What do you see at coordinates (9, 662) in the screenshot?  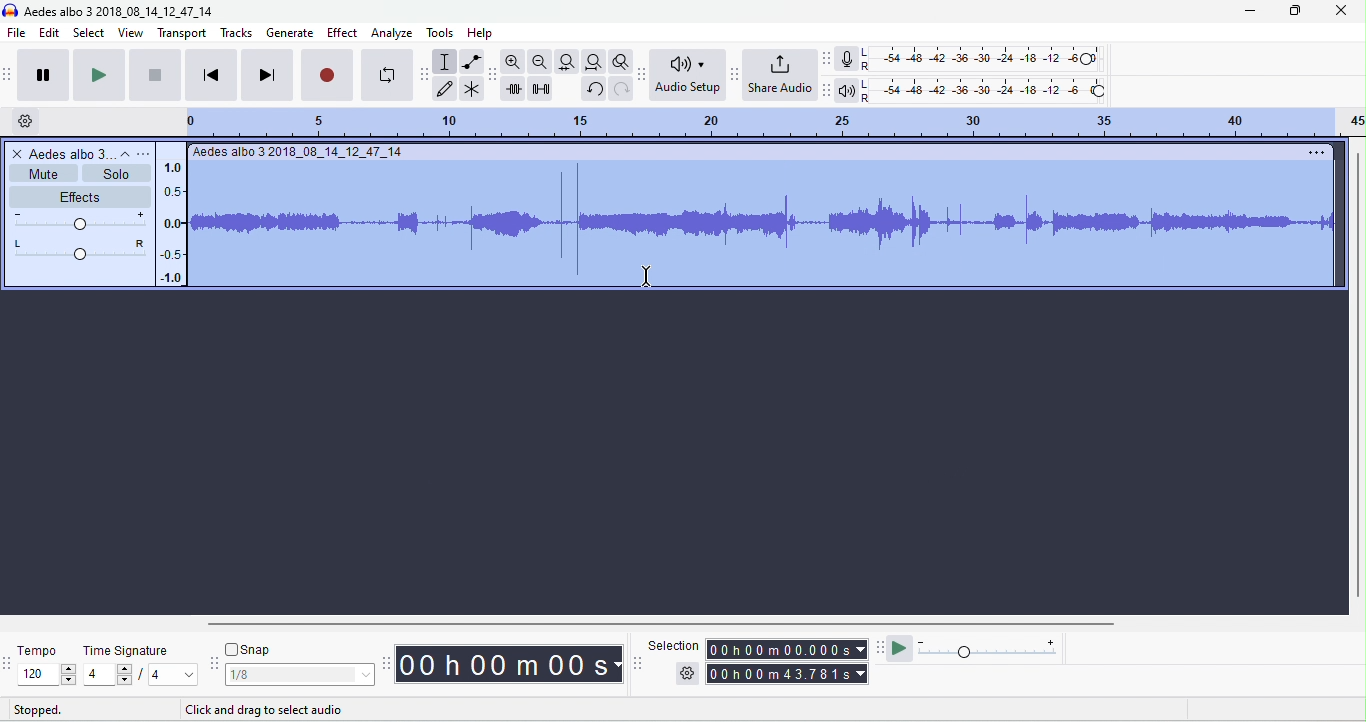 I see `tempo toolbar` at bounding box center [9, 662].